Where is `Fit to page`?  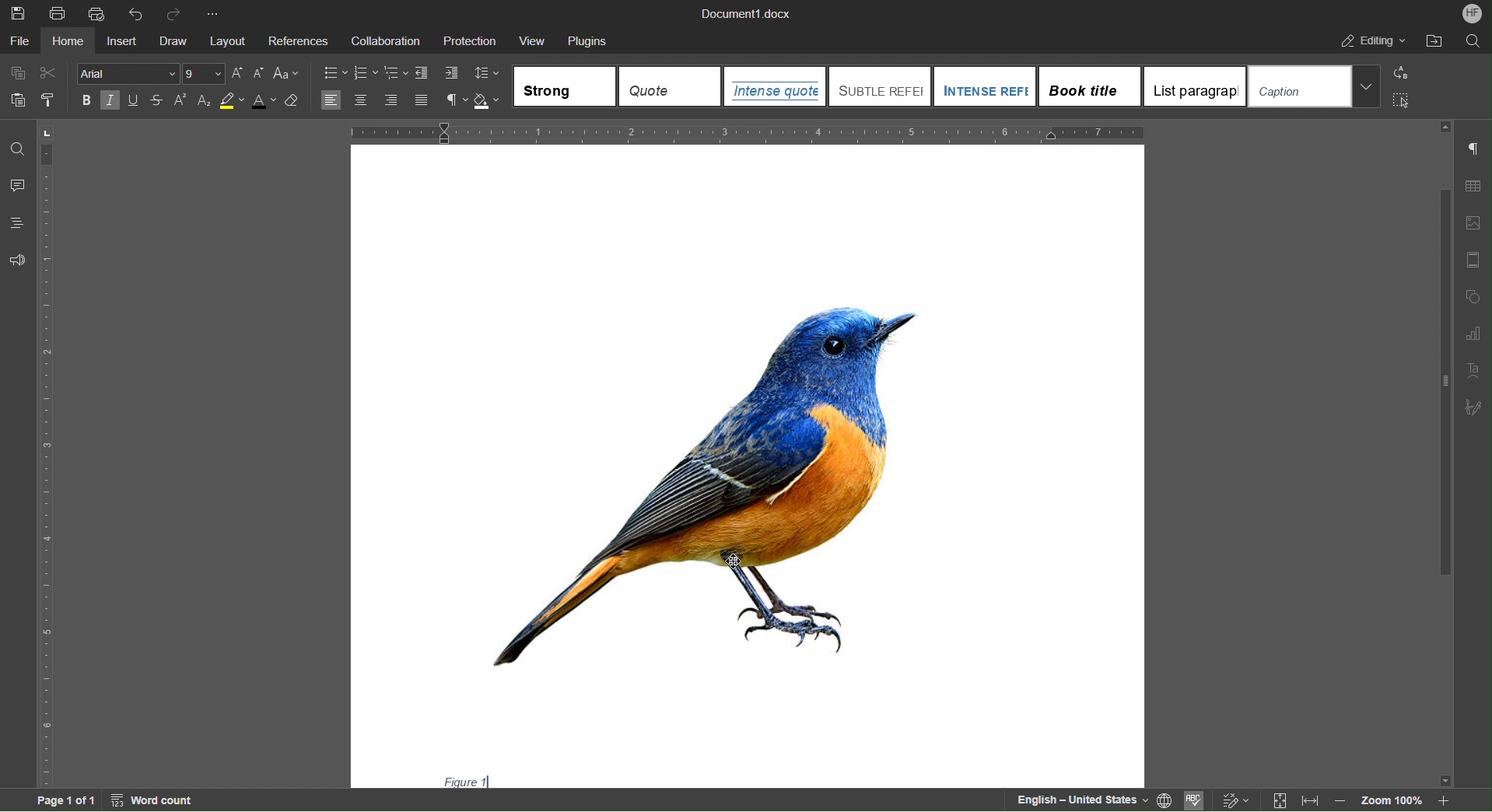 Fit to page is located at coordinates (1280, 800).